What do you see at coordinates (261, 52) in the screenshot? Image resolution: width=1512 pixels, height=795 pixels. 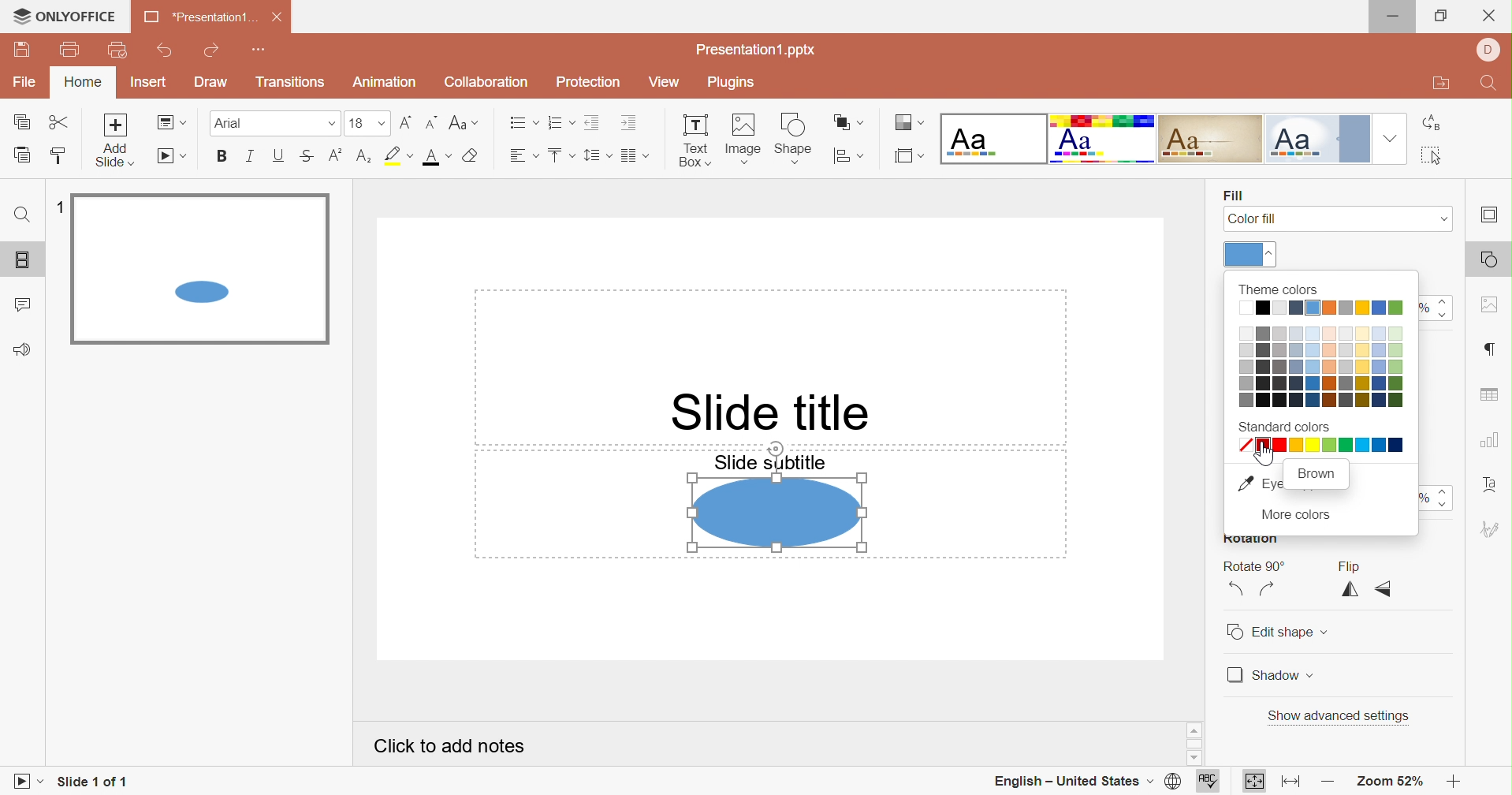 I see `Customize Quick Access Toolbar` at bounding box center [261, 52].